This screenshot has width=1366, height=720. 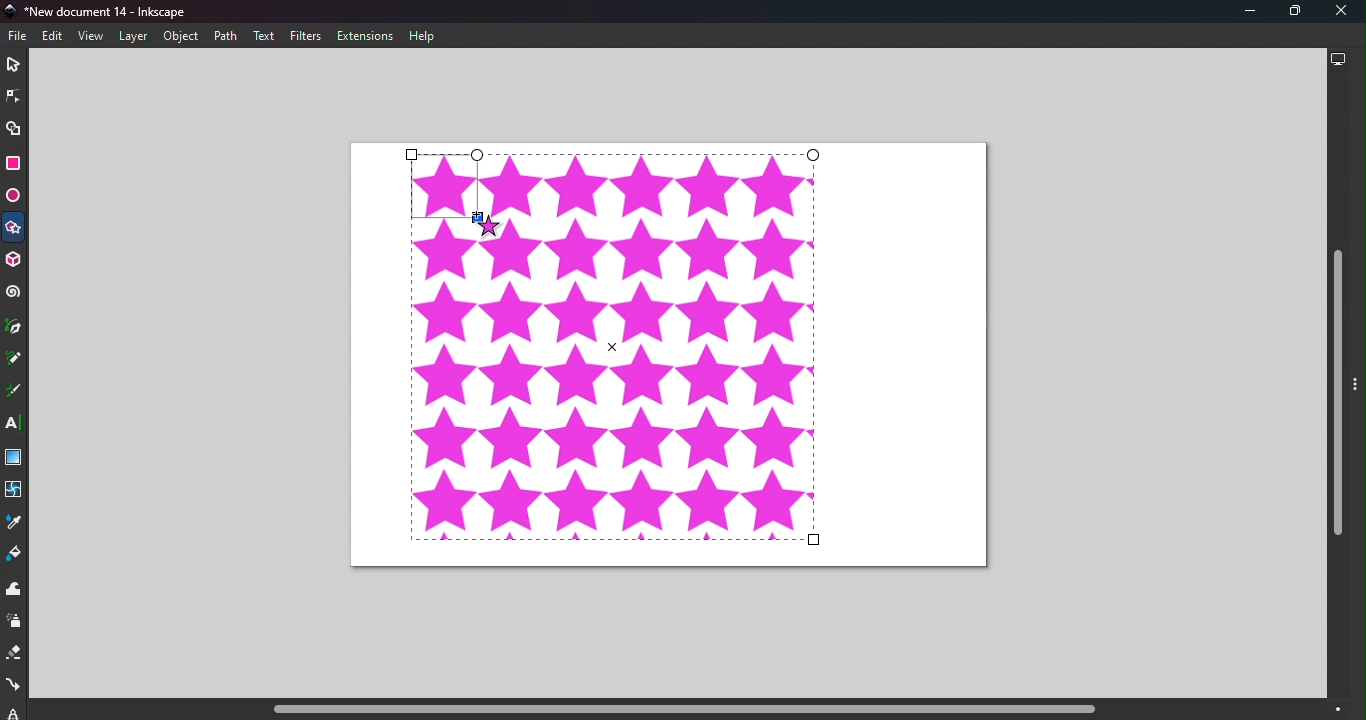 What do you see at coordinates (482, 221) in the screenshot?
I see `Cursor` at bounding box center [482, 221].